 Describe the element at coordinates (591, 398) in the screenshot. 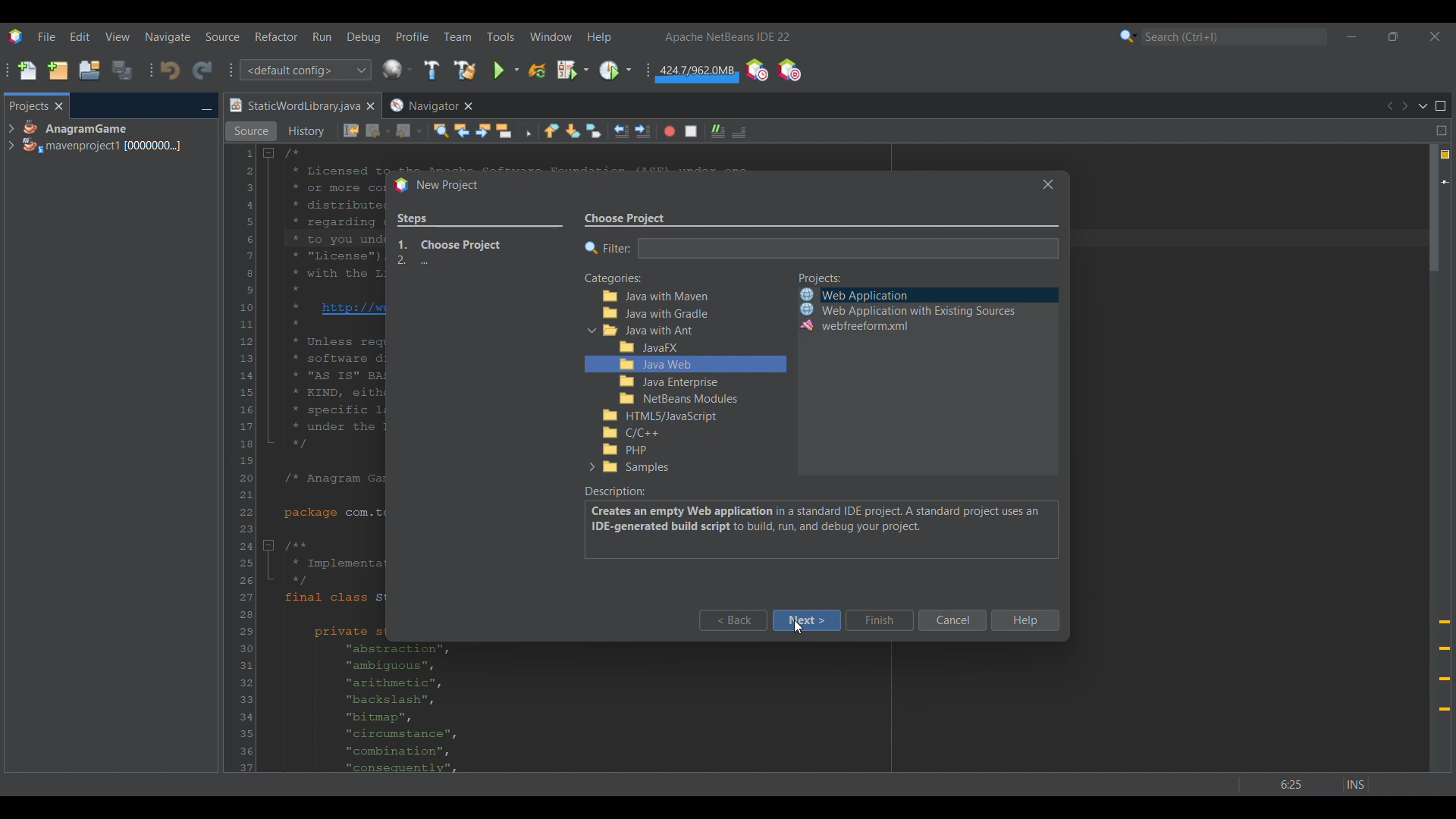

I see `Collapse/Expand` at that location.